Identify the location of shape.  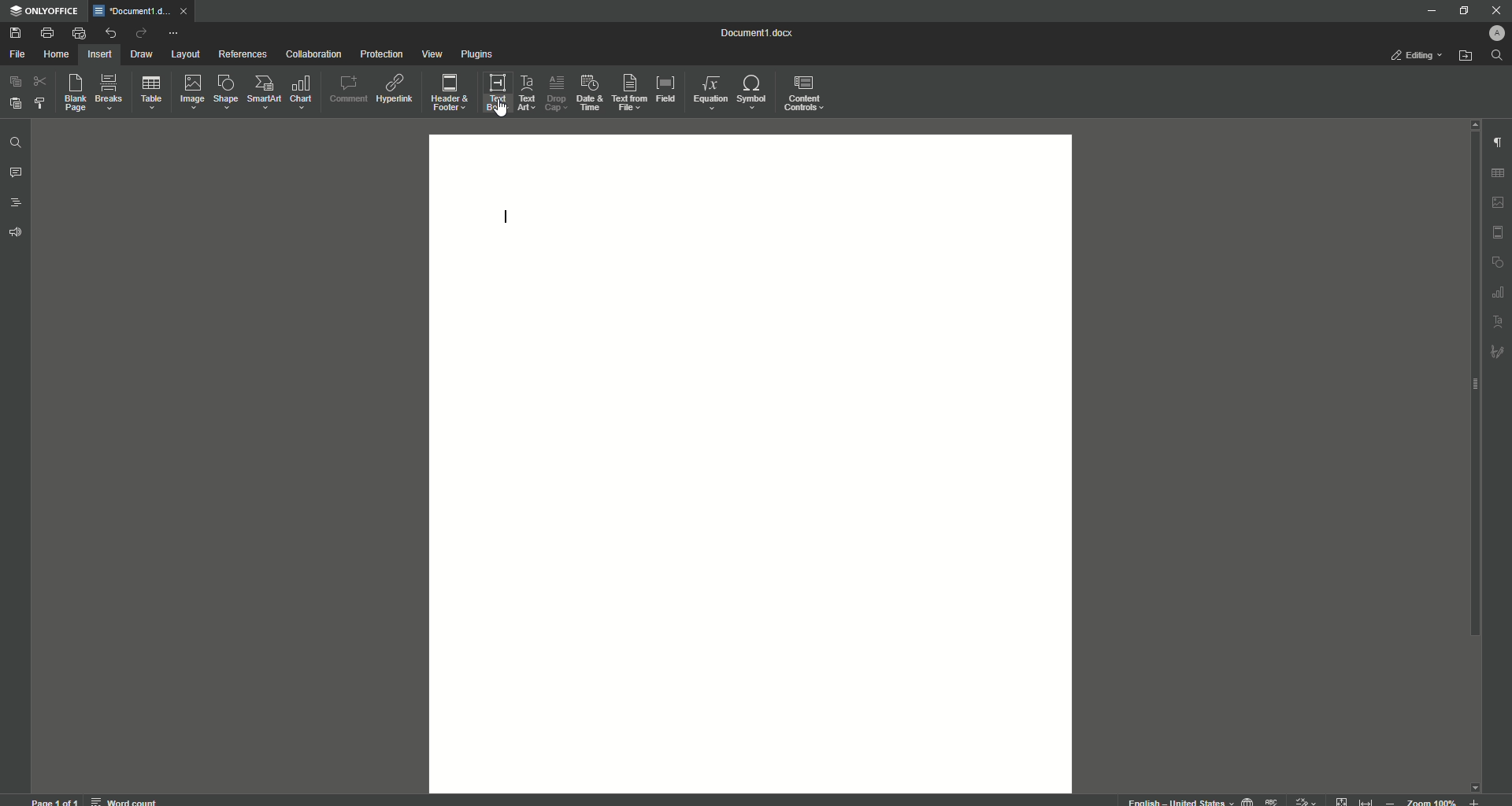
(1498, 263).